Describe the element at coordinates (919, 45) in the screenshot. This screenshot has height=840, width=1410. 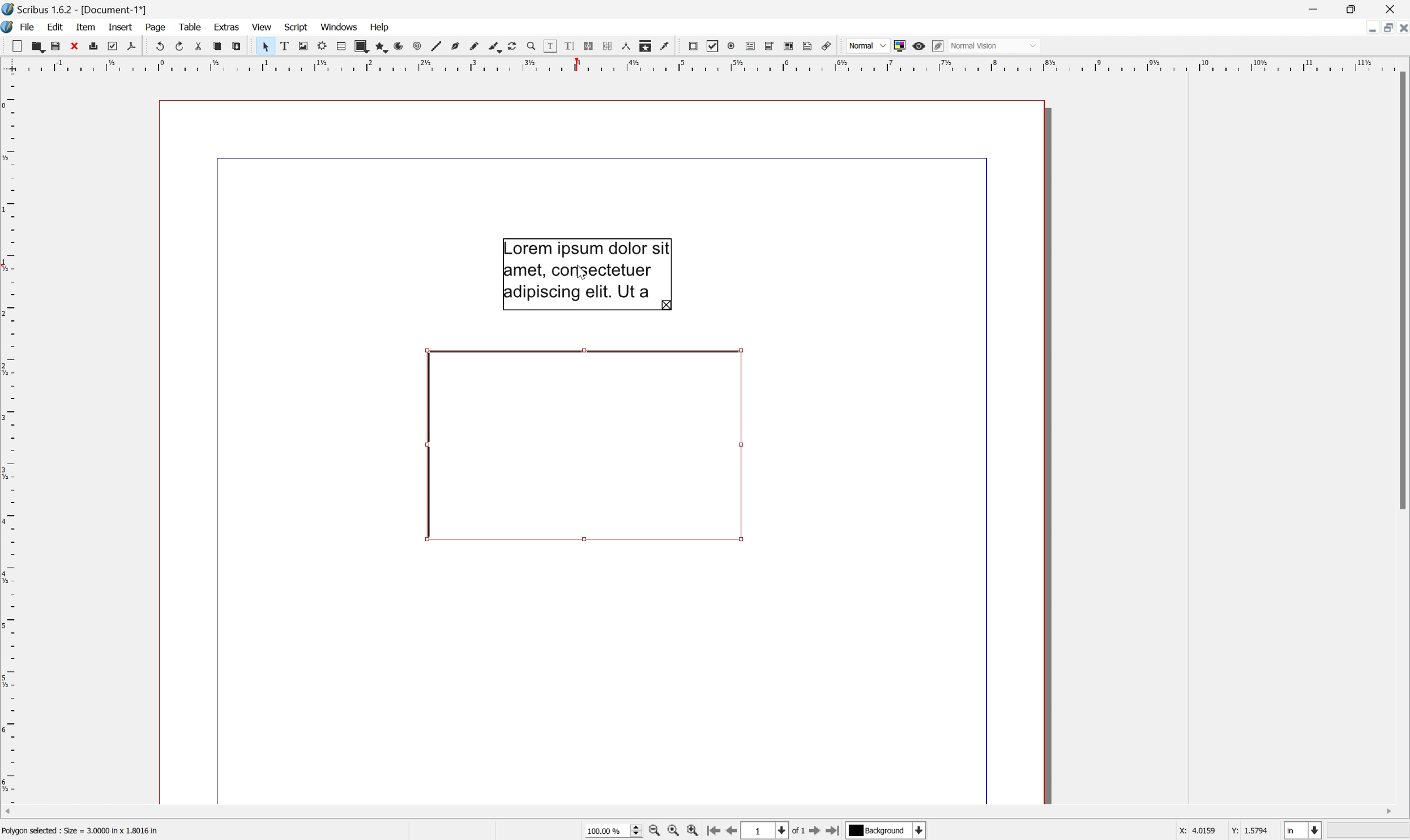
I see `Preview` at that location.